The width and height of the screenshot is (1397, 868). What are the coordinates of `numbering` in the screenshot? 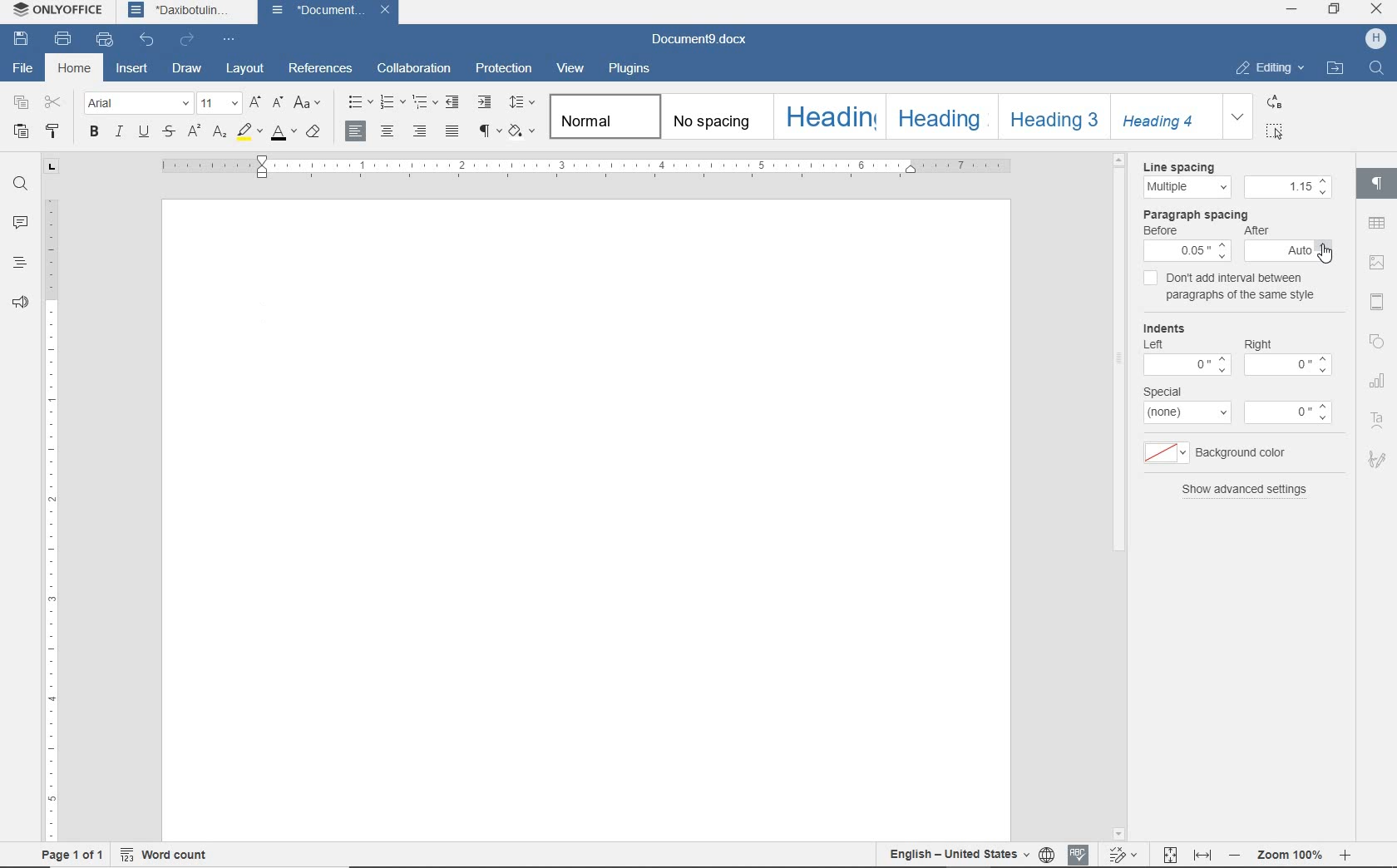 It's located at (394, 103).